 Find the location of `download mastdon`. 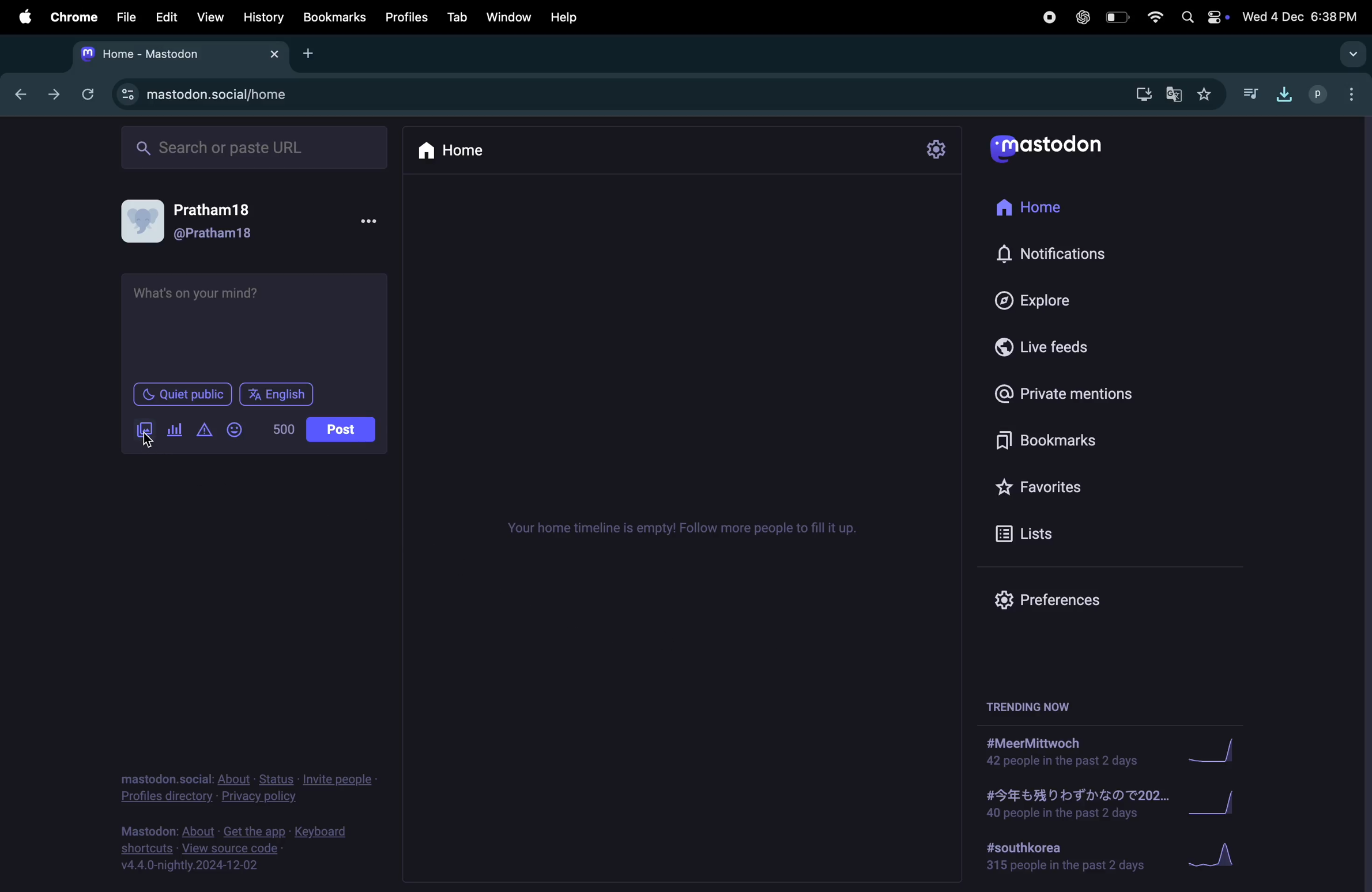

download mastdon is located at coordinates (1143, 95).